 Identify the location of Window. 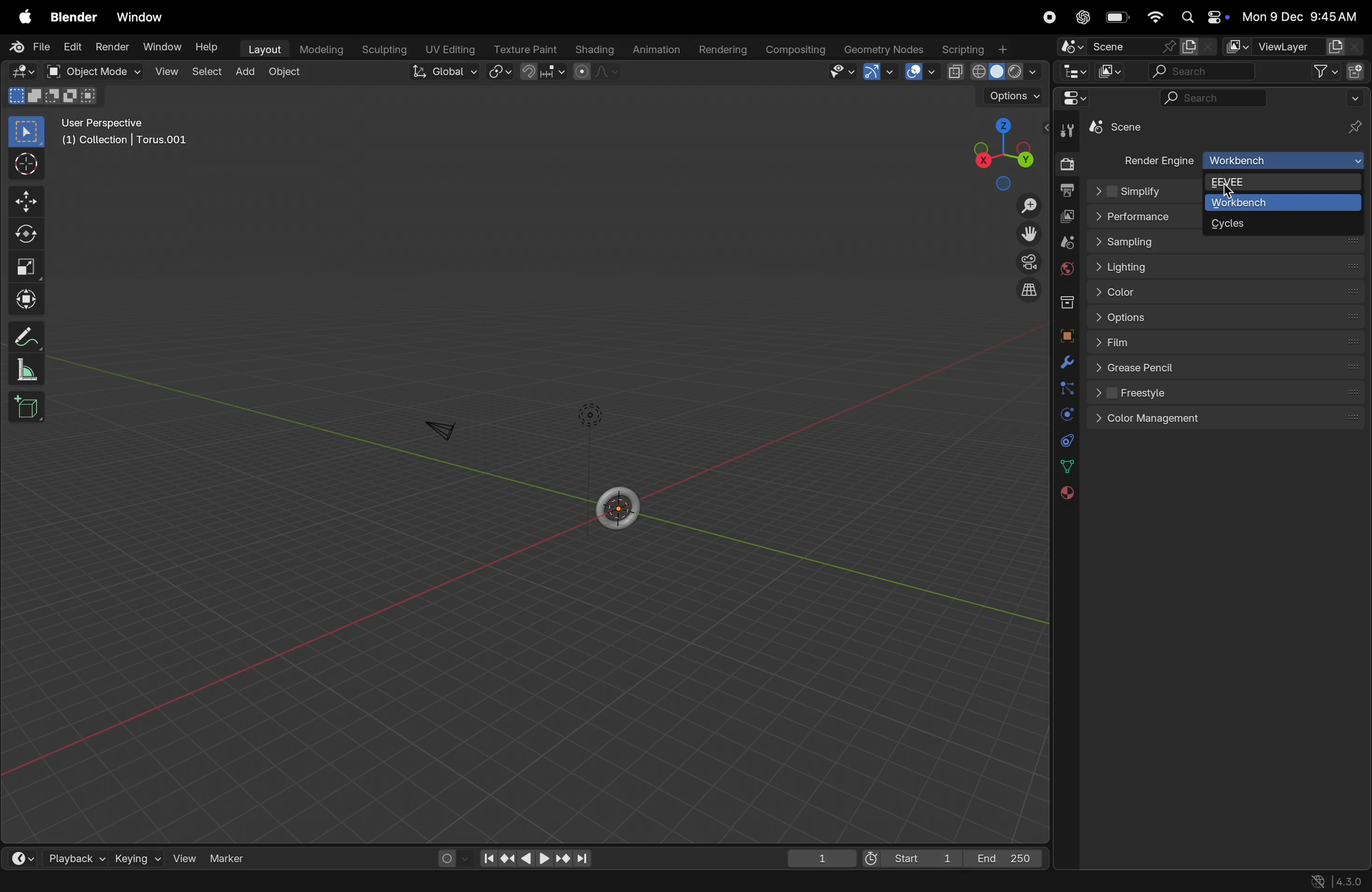
(144, 17).